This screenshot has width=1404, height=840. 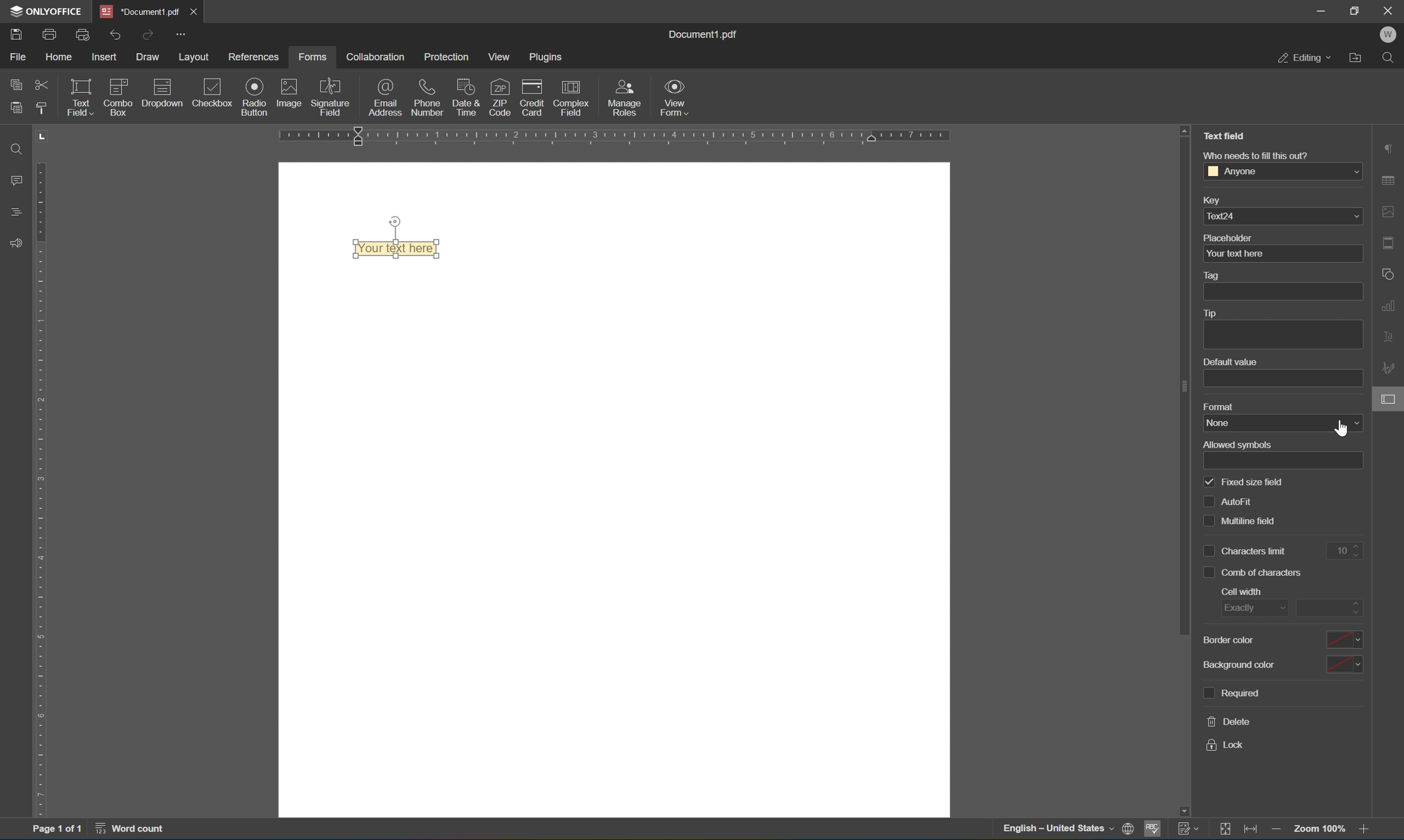 What do you see at coordinates (115, 36) in the screenshot?
I see `undo` at bounding box center [115, 36].